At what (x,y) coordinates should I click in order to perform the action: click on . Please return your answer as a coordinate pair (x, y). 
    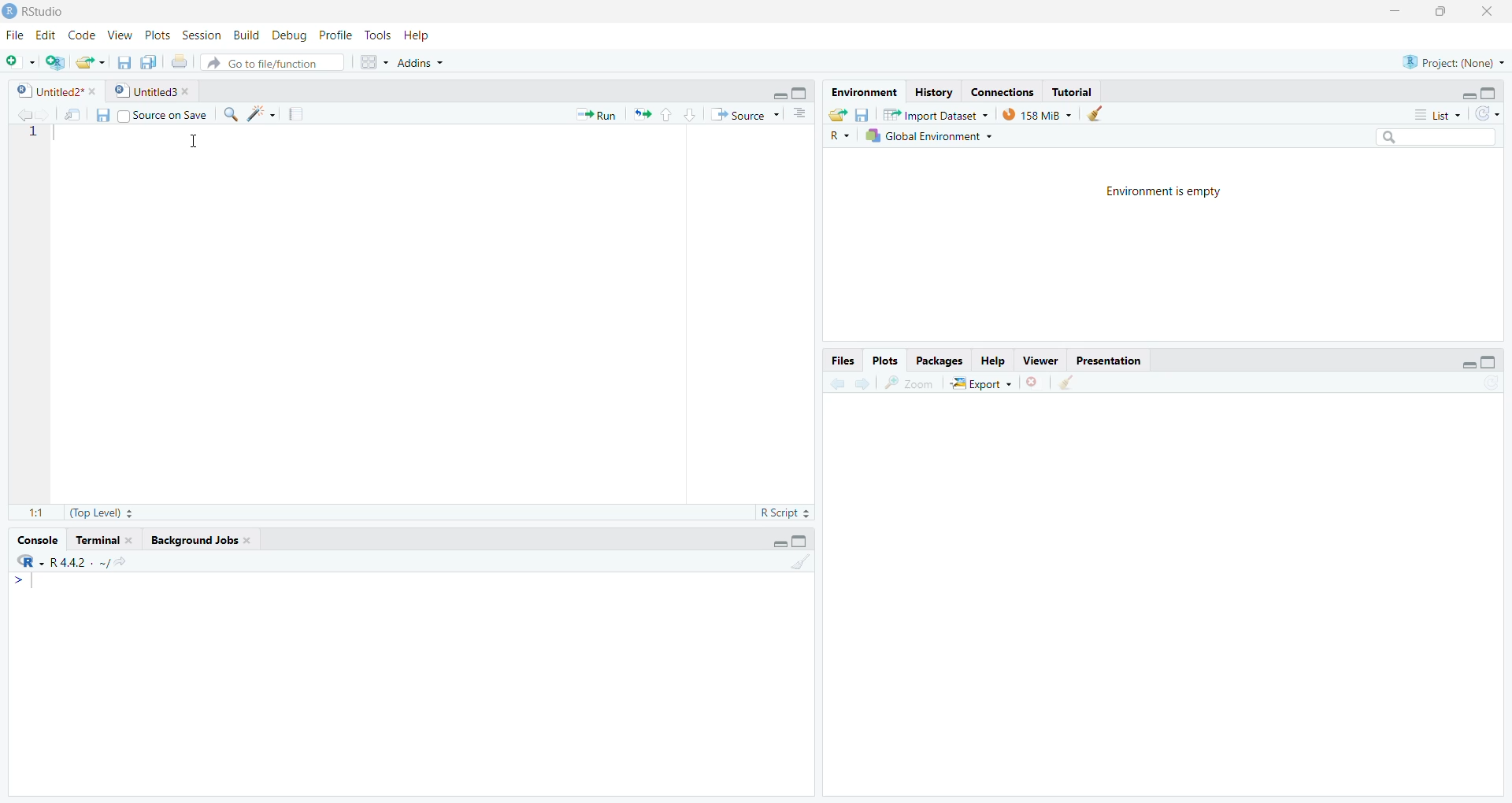
    Looking at the image, I should click on (100, 116).